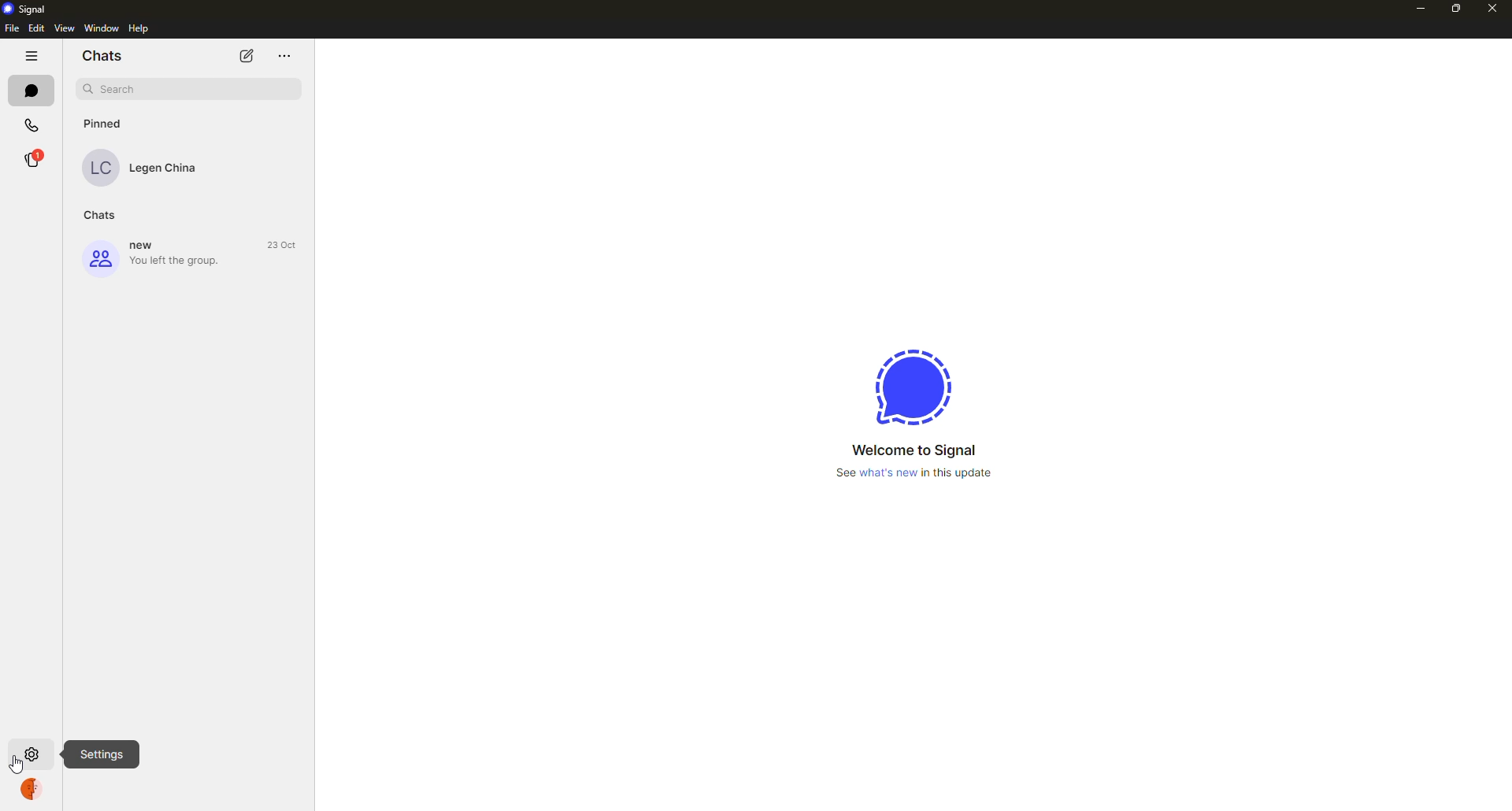 Image resolution: width=1512 pixels, height=811 pixels. Describe the element at coordinates (31, 91) in the screenshot. I see `chats` at that location.